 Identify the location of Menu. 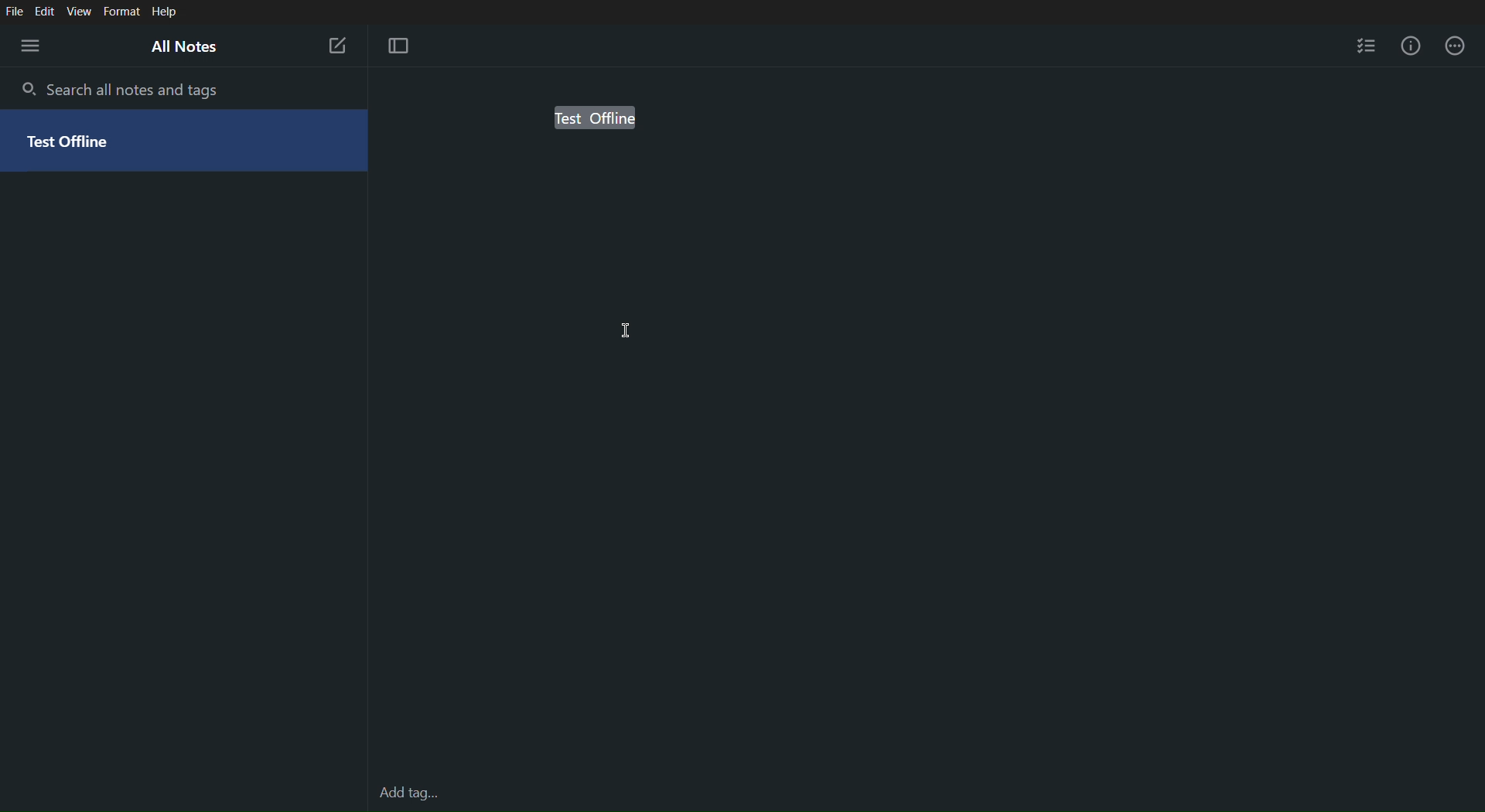
(28, 44).